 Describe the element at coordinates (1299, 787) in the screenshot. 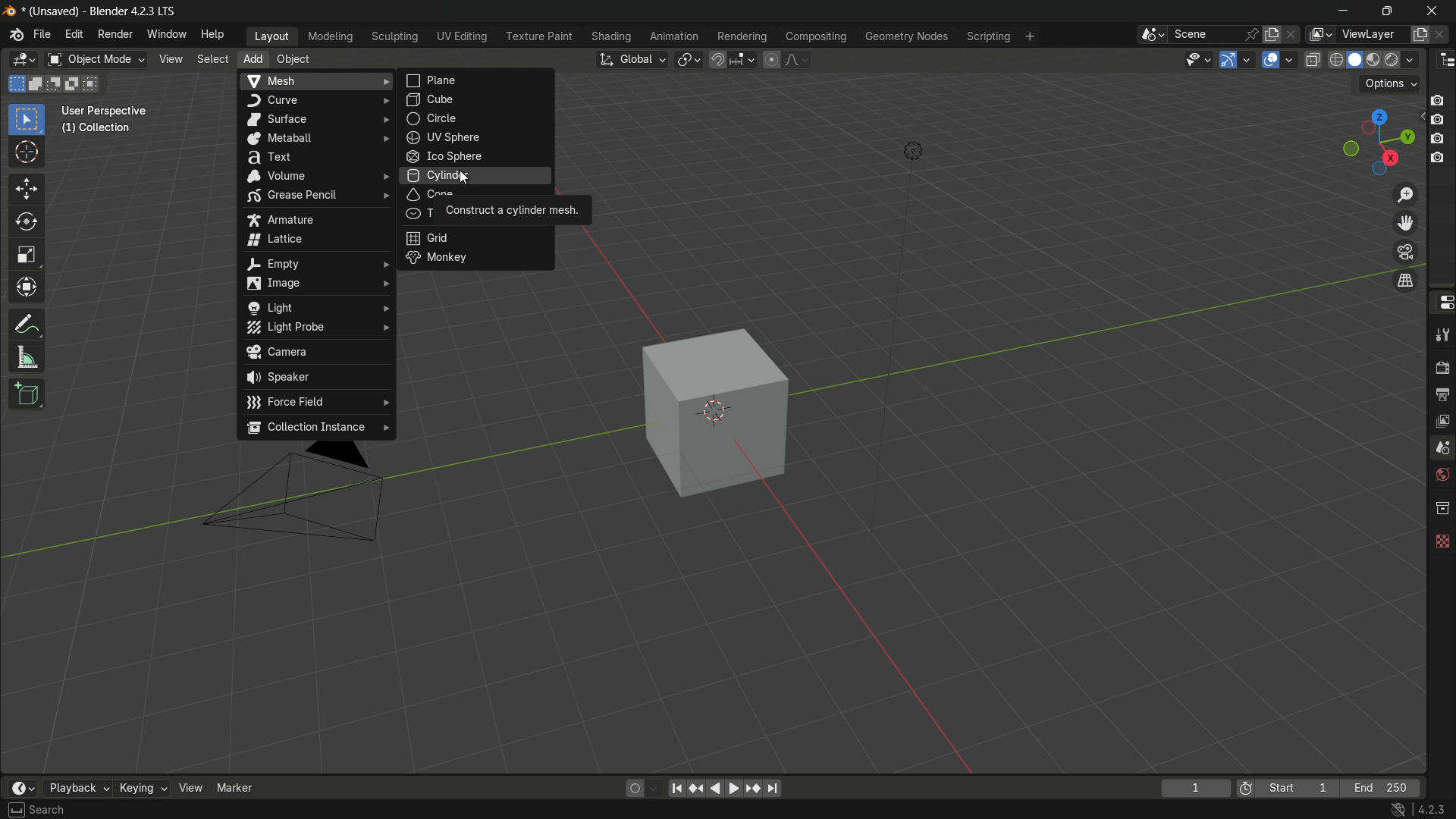

I see `start` at that location.